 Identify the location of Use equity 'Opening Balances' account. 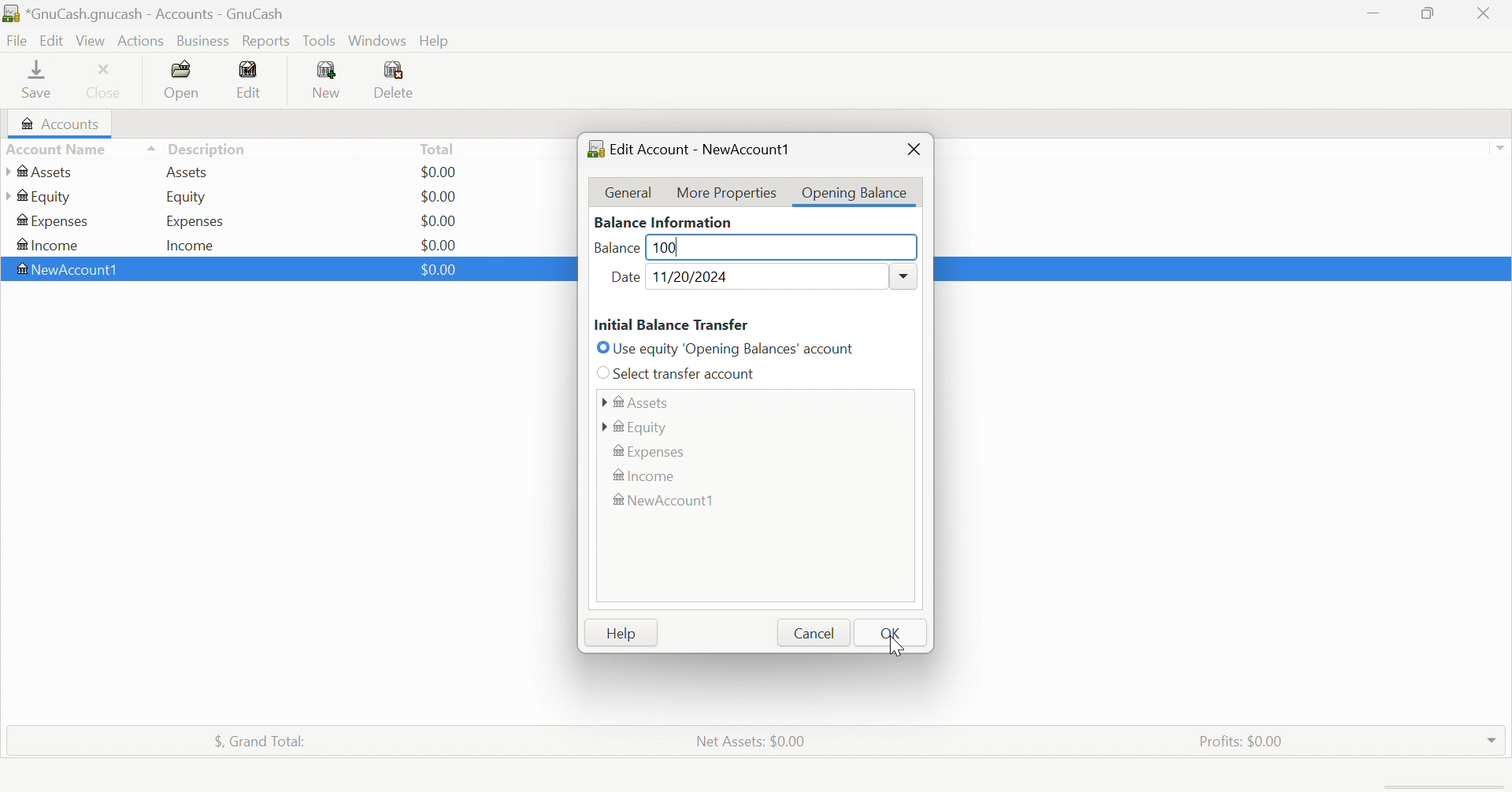
(728, 347).